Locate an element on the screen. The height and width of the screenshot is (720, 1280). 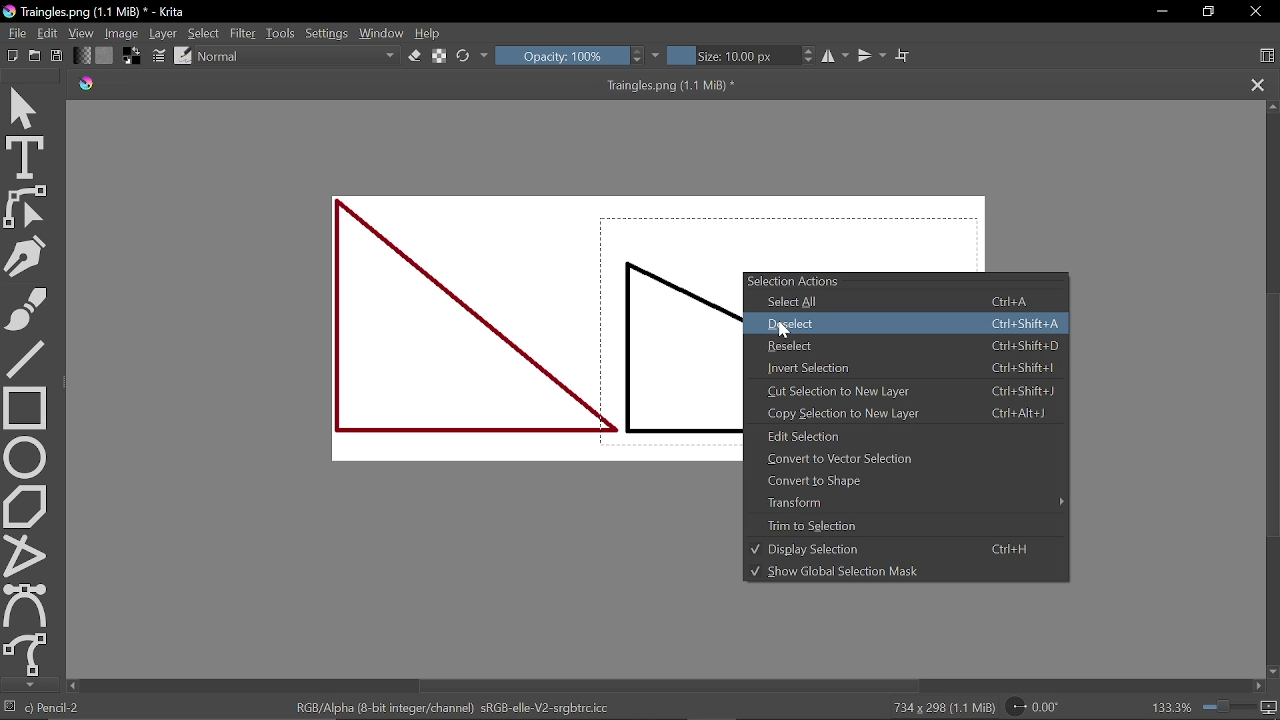
Create new document is located at coordinates (14, 55).